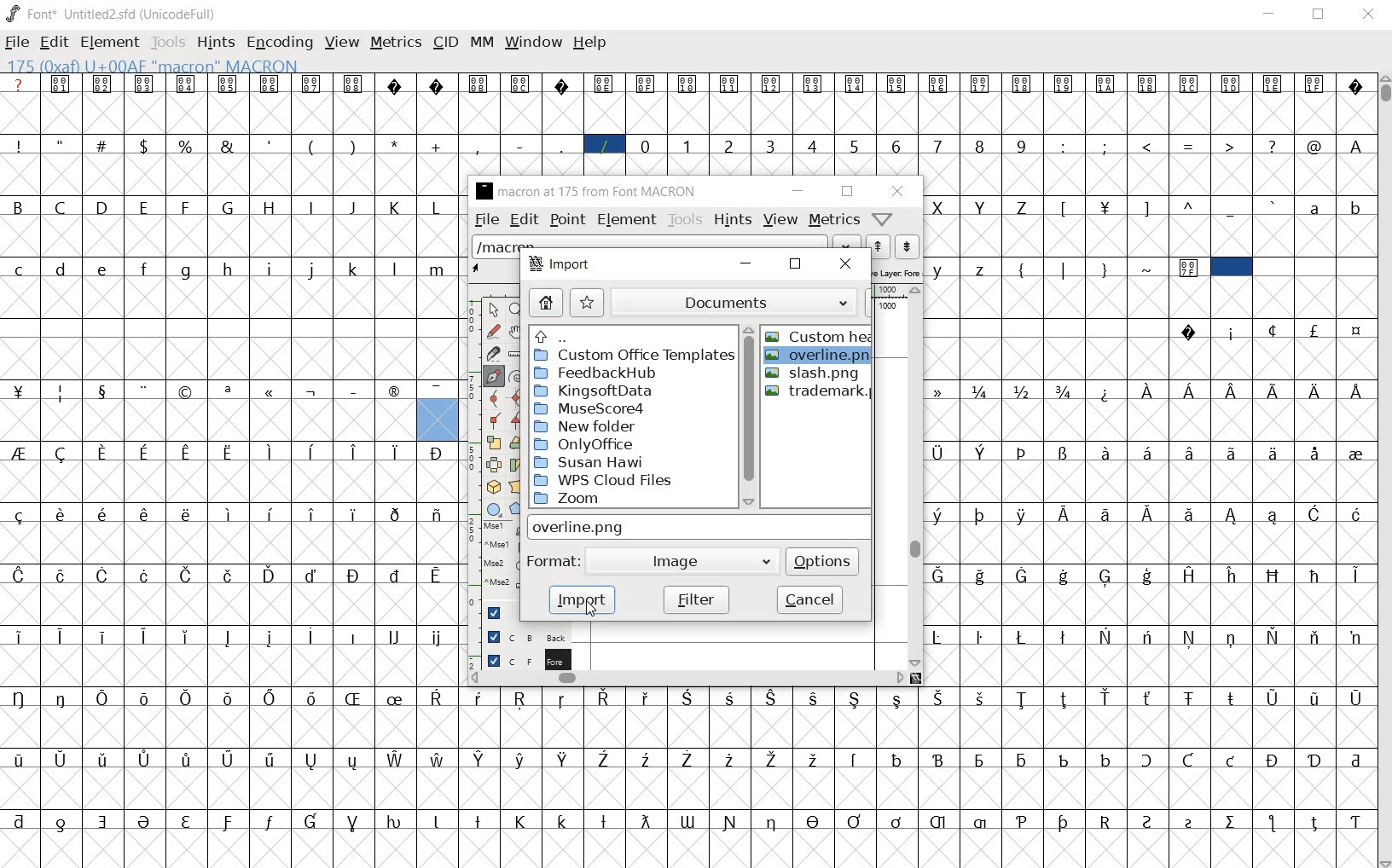  I want to click on ^, so click(1190, 206).